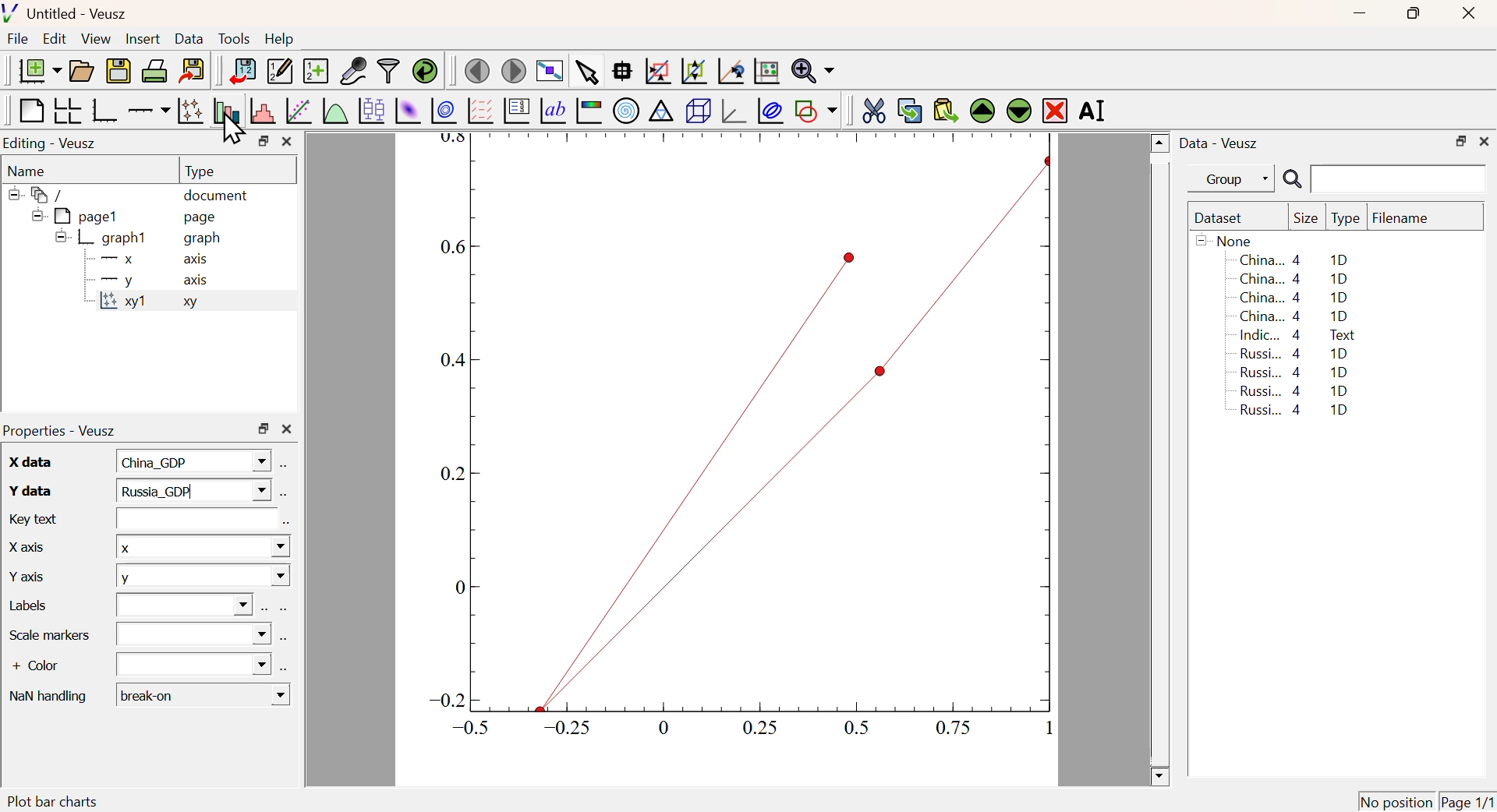  What do you see at coordinates (71, 217) in the screenshot?
I see `pagel` at bounding box center [71, 217].